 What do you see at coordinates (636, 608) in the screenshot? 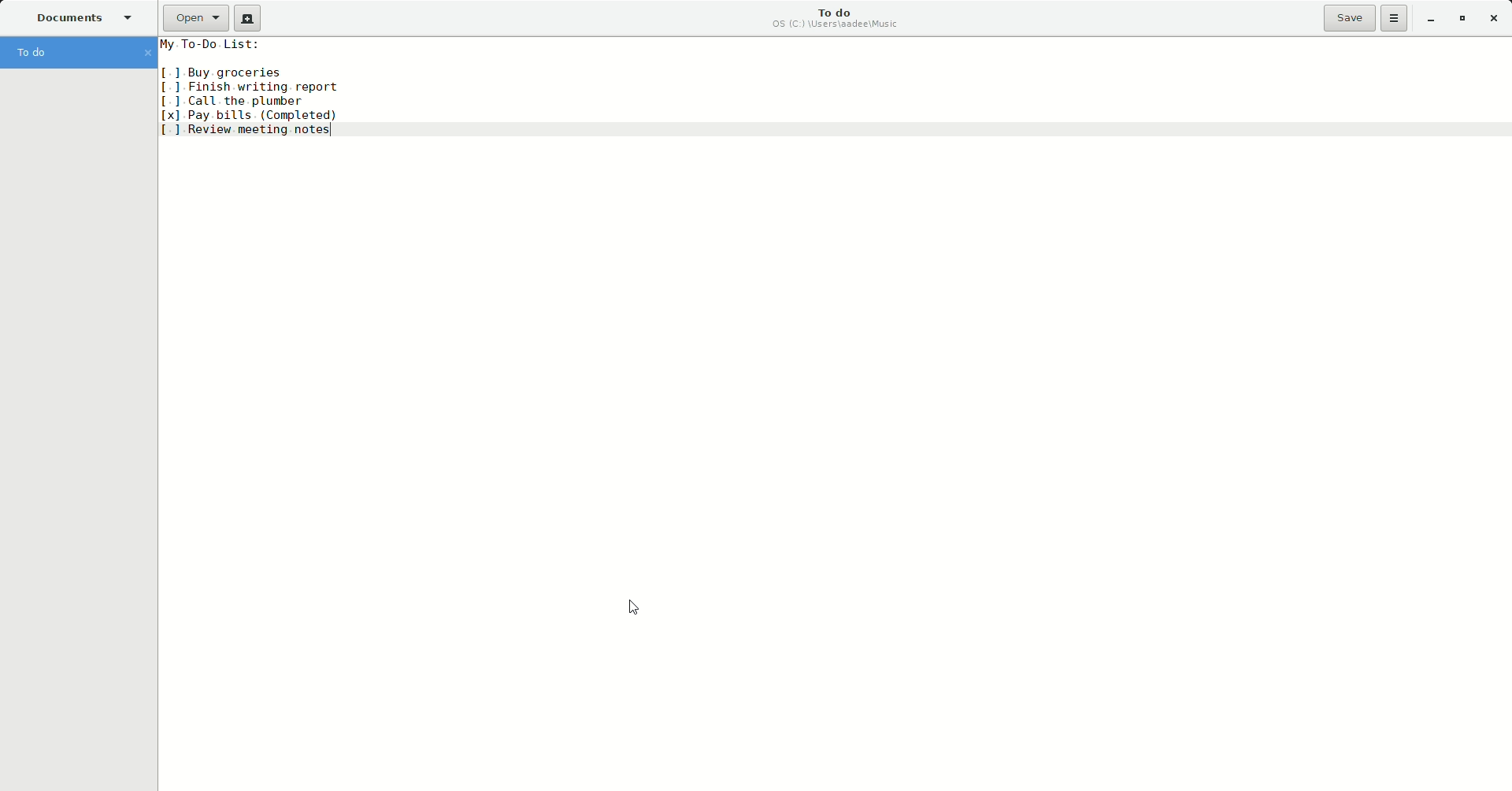
I see `Cursor` at bounding box center [636, 608].